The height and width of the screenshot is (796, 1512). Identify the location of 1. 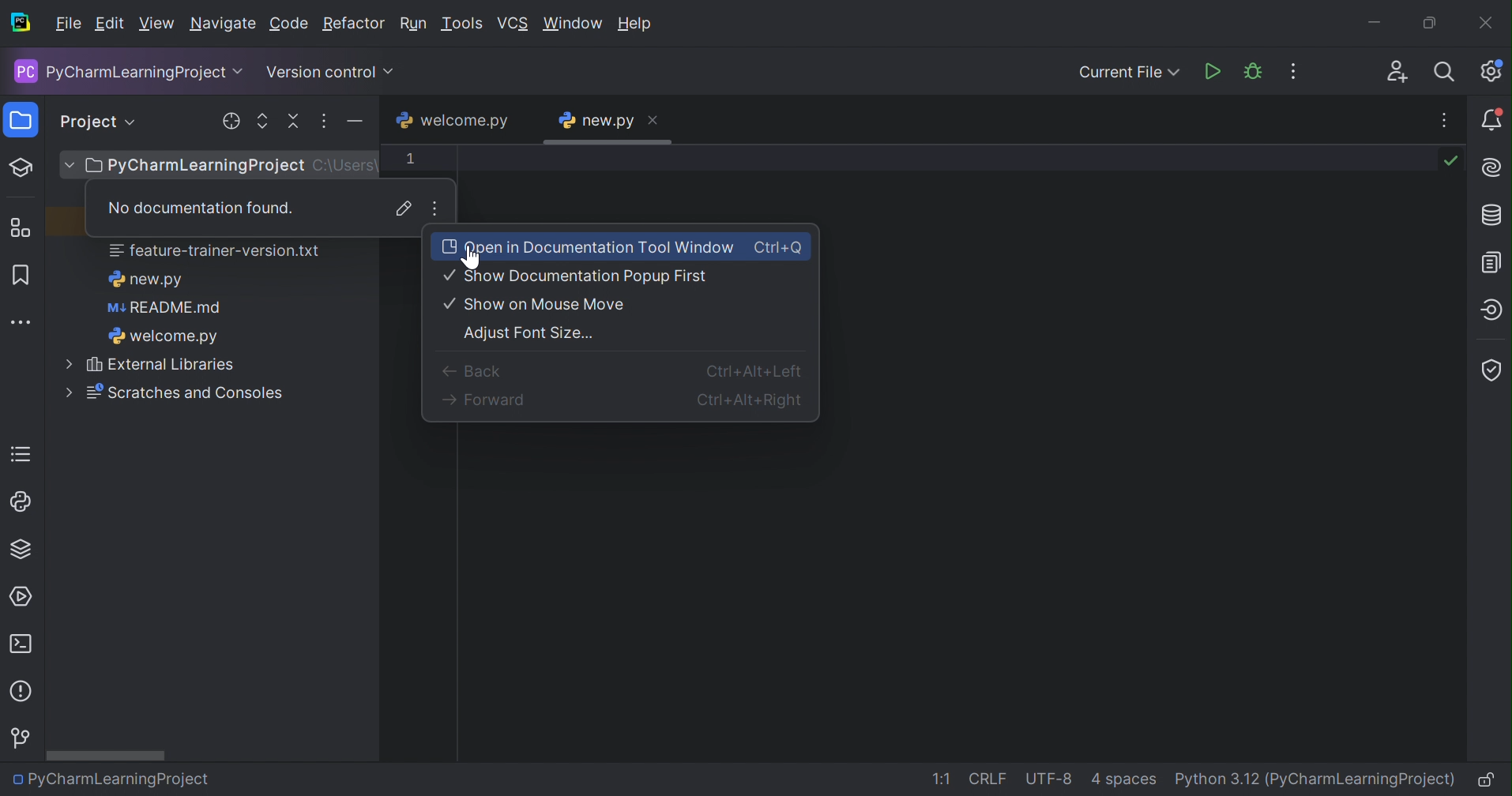
(410, 157).